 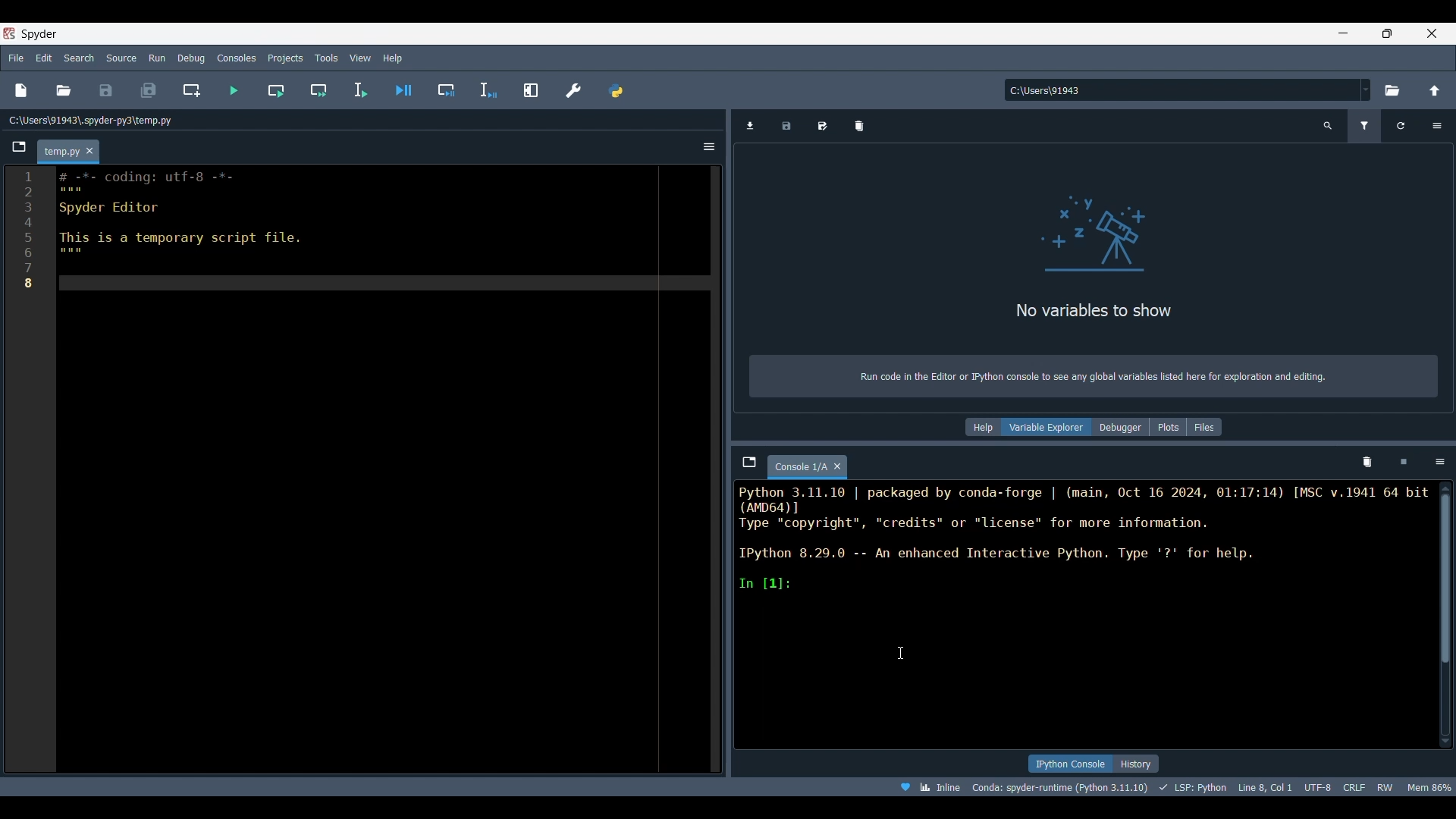 I want to click on Run selection or current line, so click(x=359, y=90).